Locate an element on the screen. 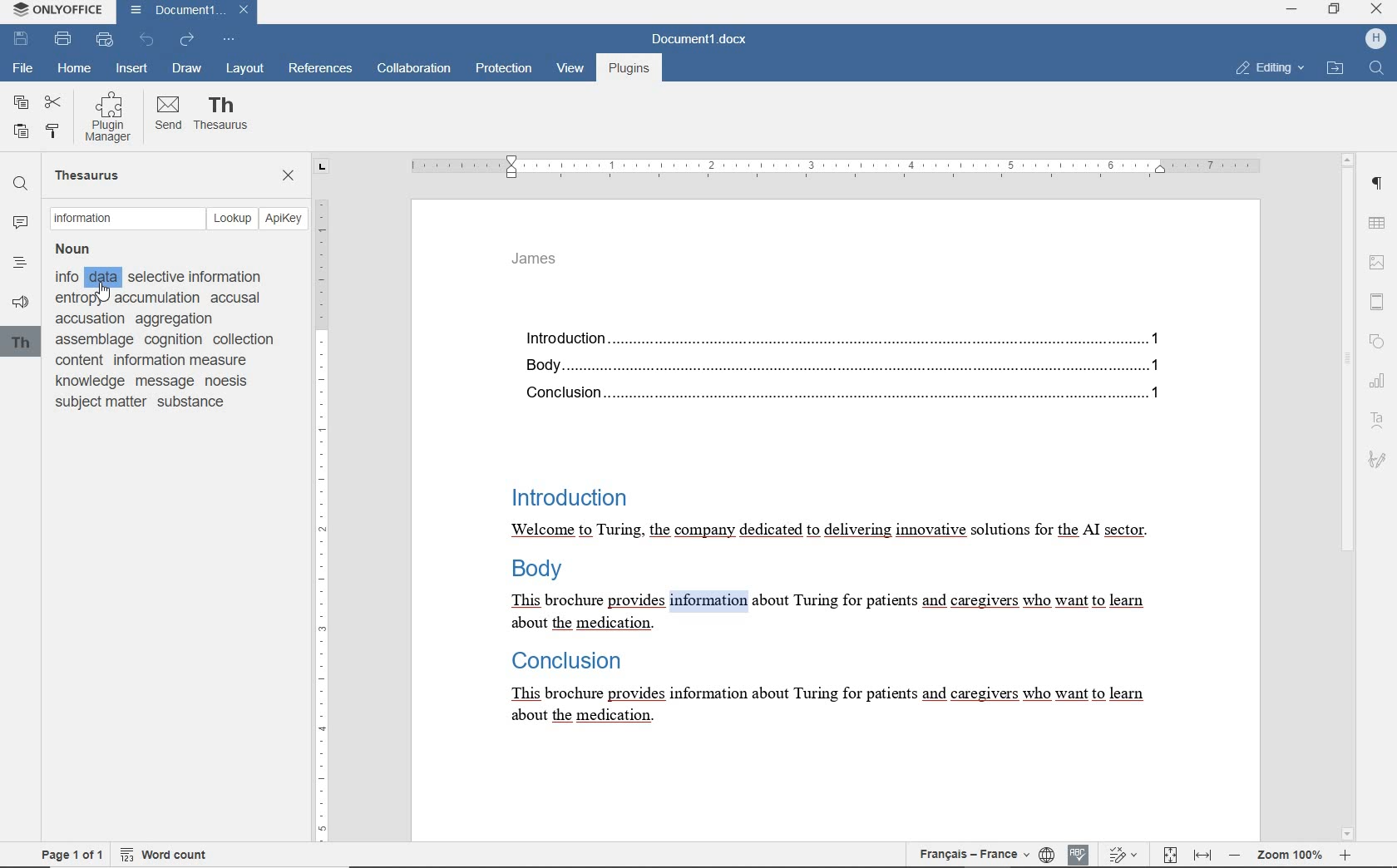  COPY is located at coordinates (21, 102).